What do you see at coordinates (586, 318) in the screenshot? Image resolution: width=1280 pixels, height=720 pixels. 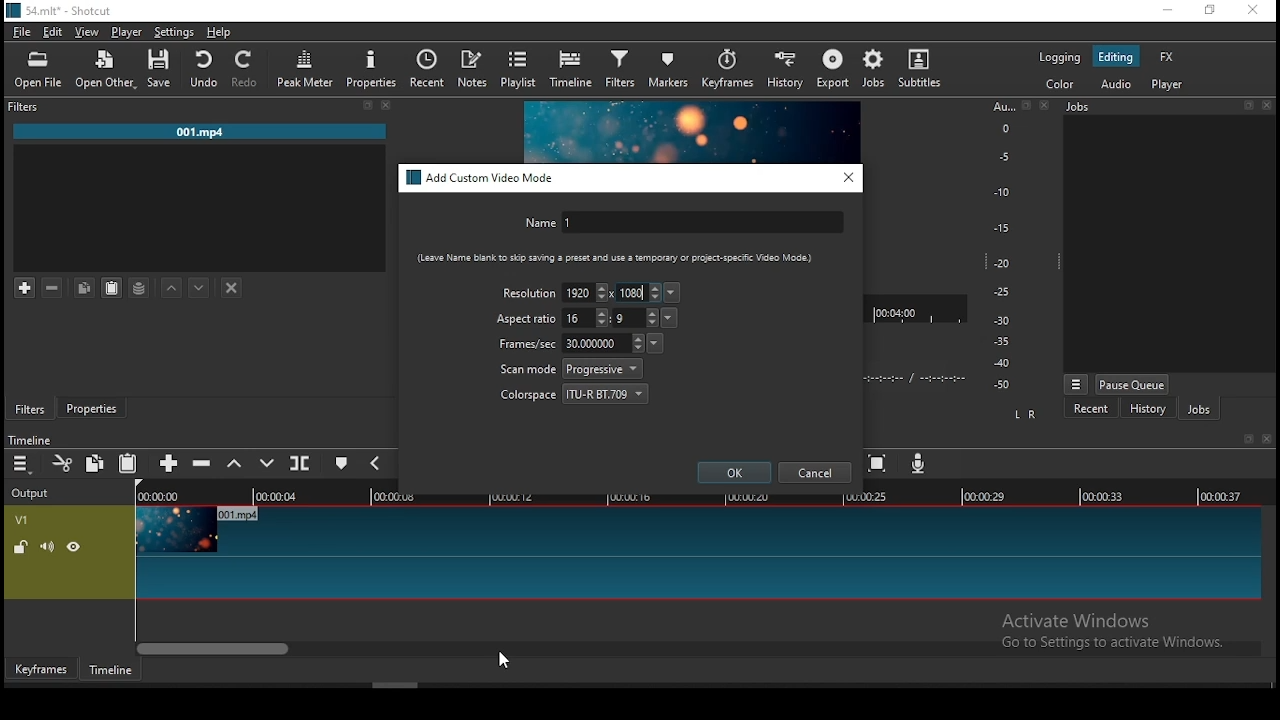 I see `width` at bounding box center [586, 318].